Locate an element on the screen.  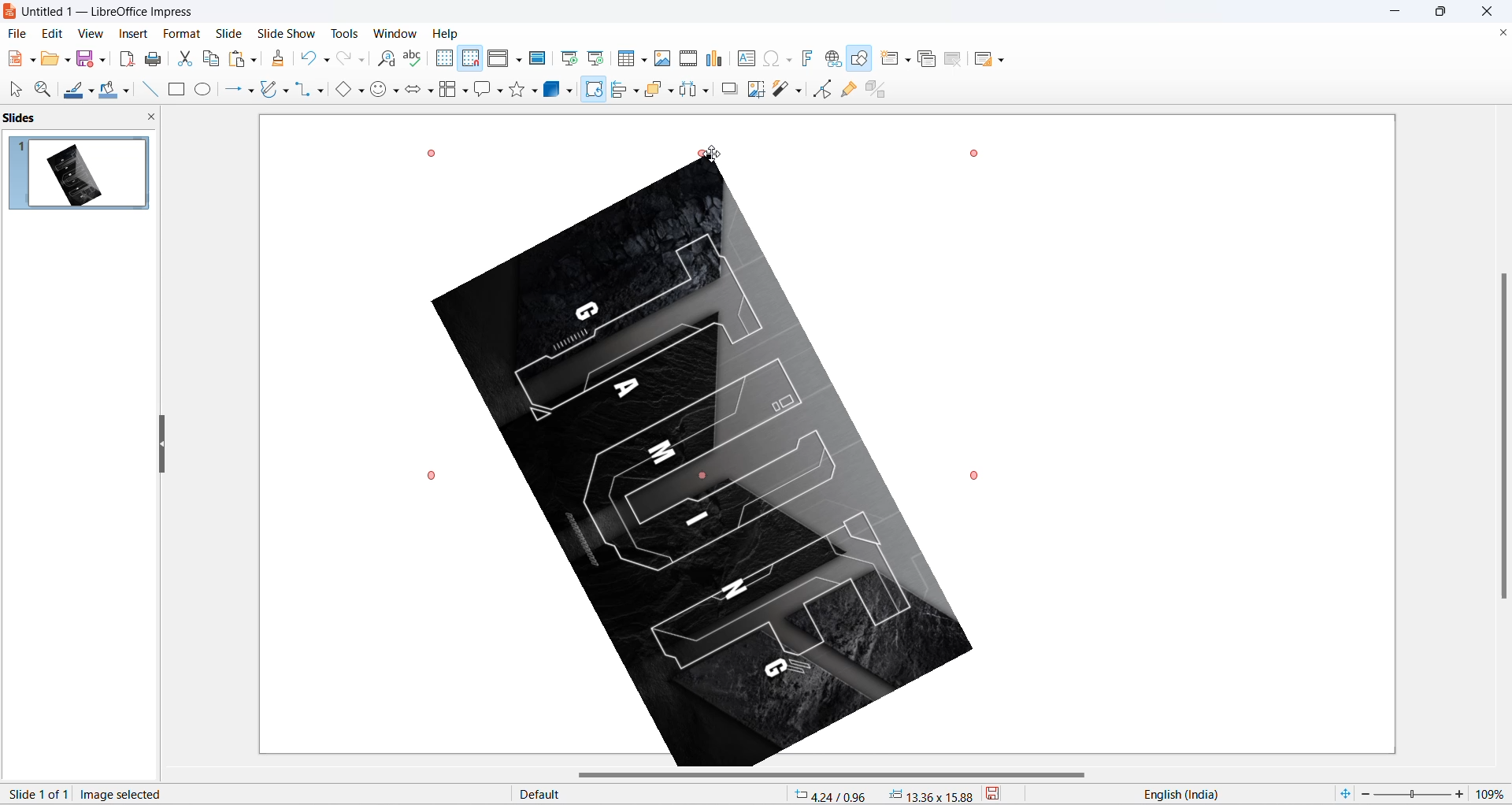
duplicate slide is located at coordinates (927, 61).